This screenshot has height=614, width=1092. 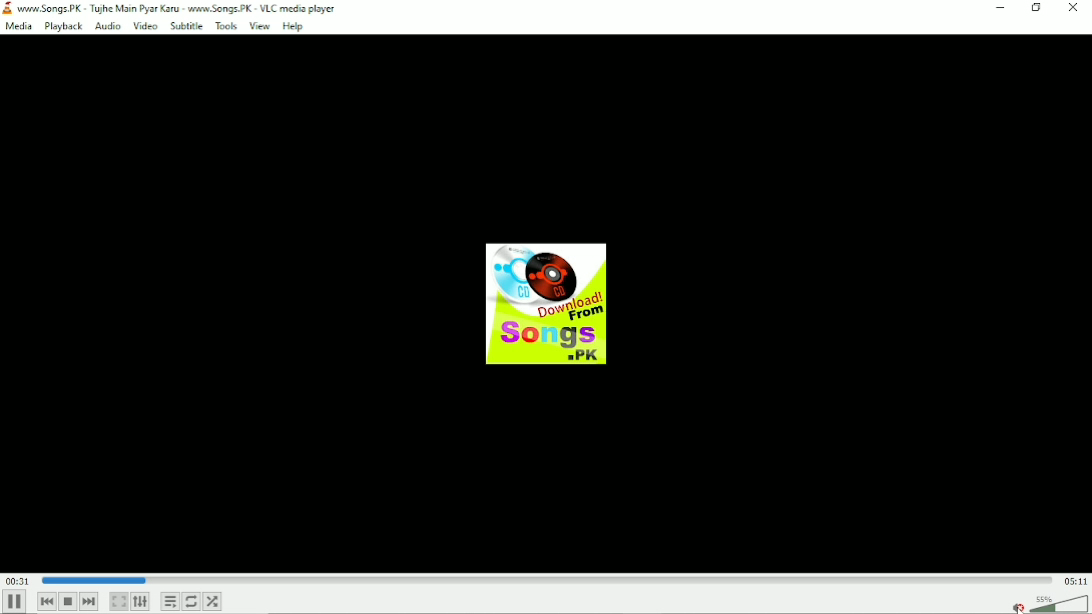 I want to click on Video, so click(x=144, y=26).